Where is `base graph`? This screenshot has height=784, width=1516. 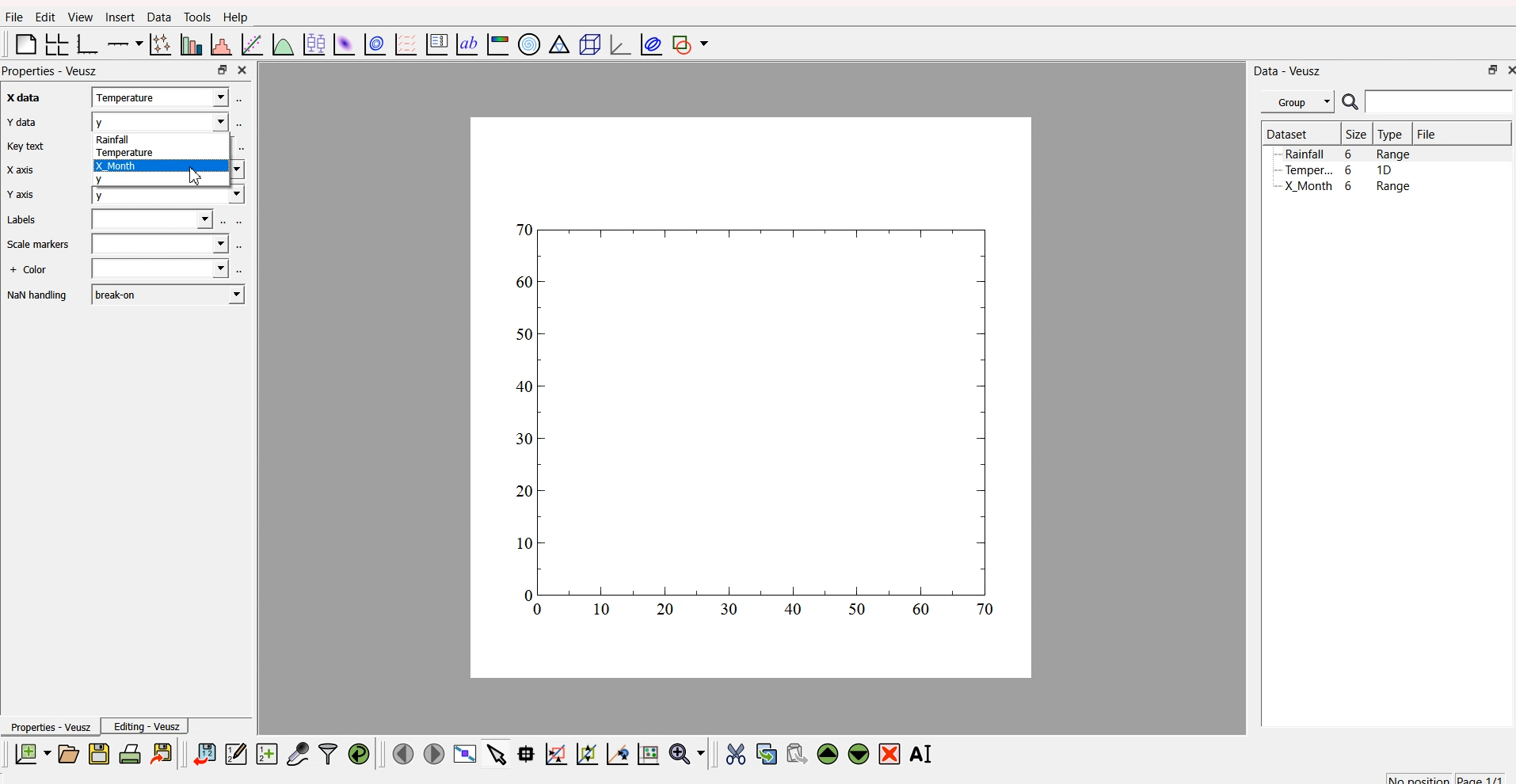
base graph is located at coordinates (88, 44).